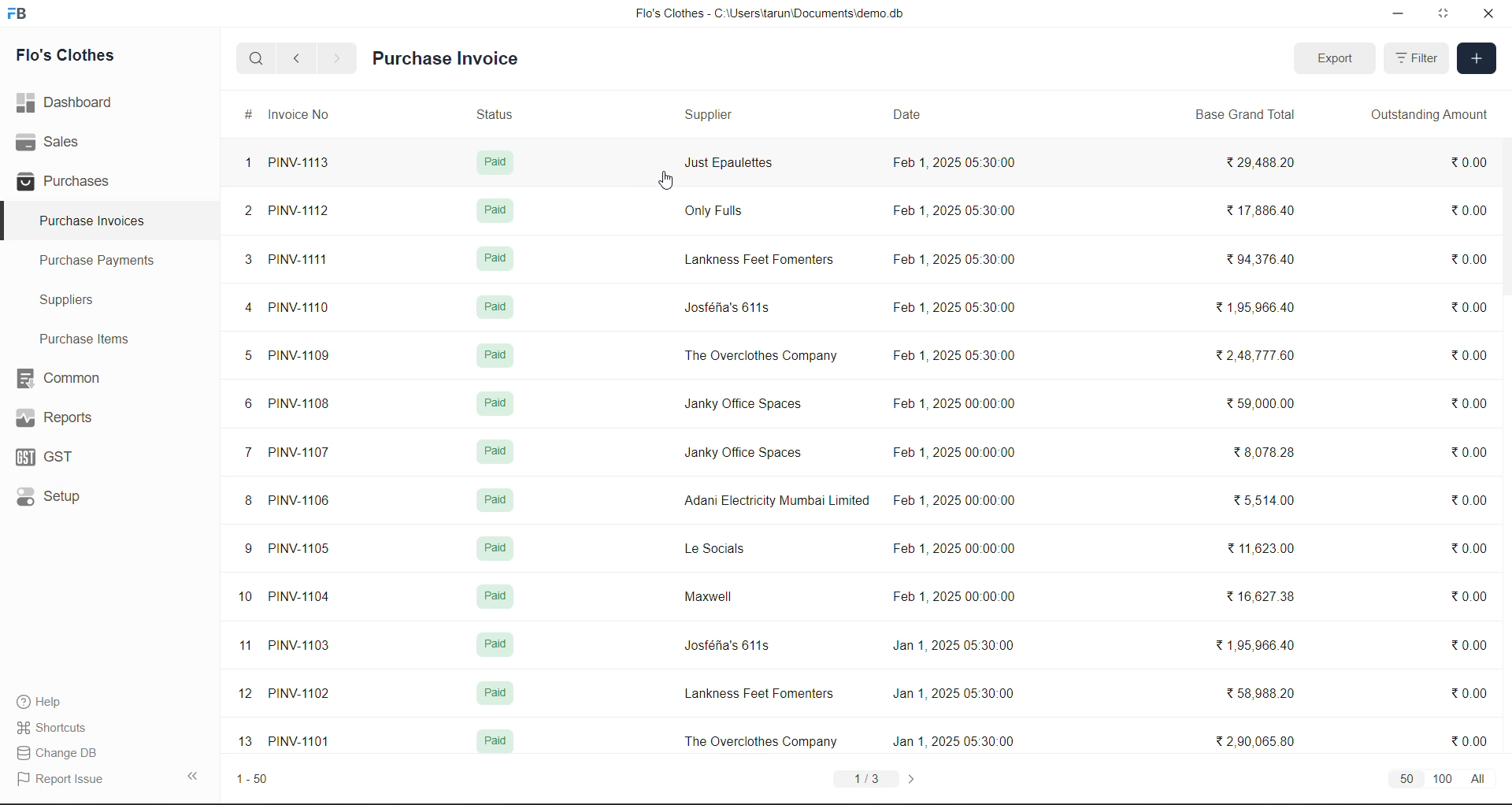  What do you see at coordinates (309, 161) in the screenshot?
I see ` PINV-1113` at bounding box center [309, 161].